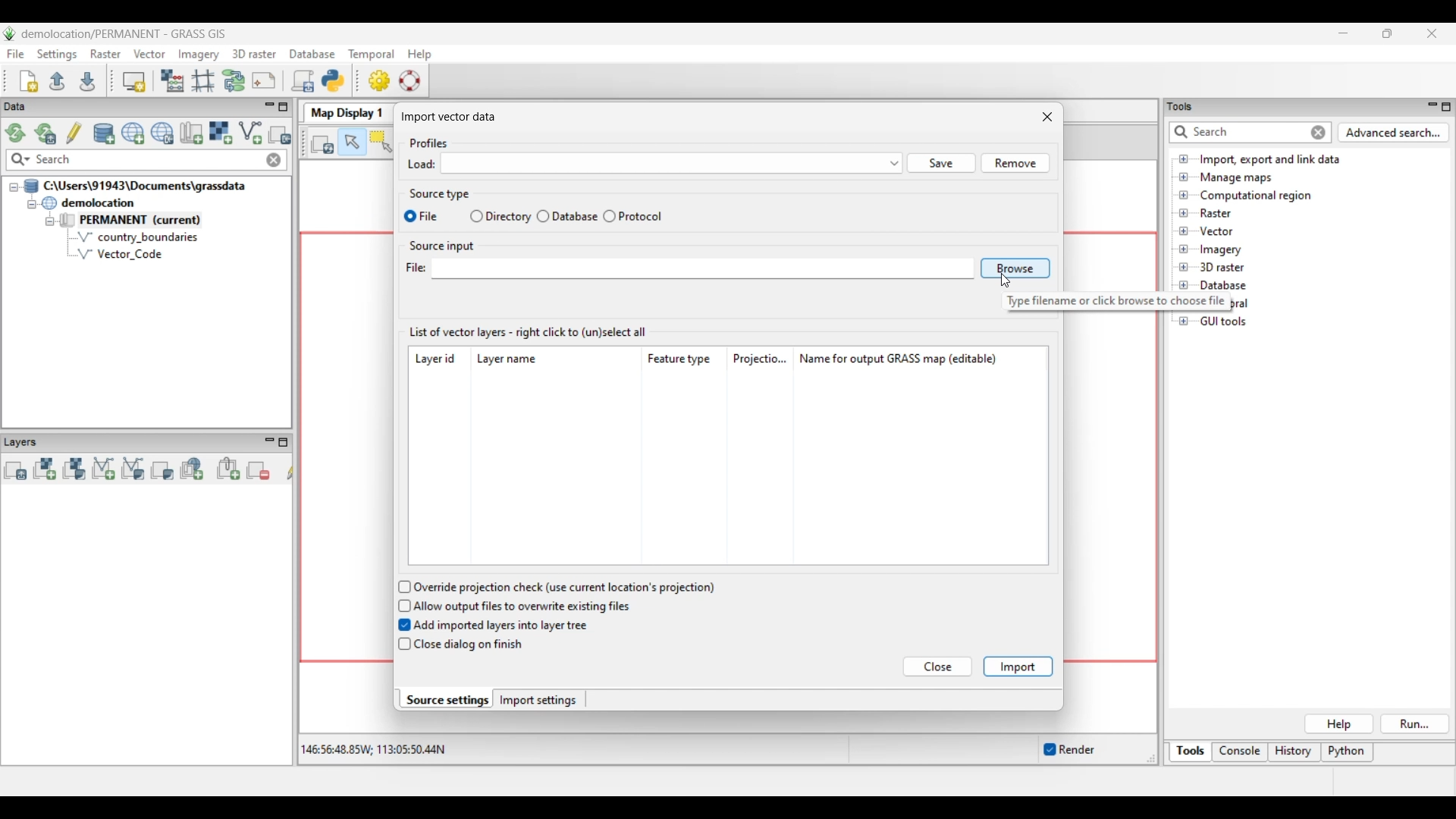 This screenshot has width=1456, height=819. What do you see at coordinates (440, 194) in the screenshot?
I see `Source type` at bounding box center [440, 194].